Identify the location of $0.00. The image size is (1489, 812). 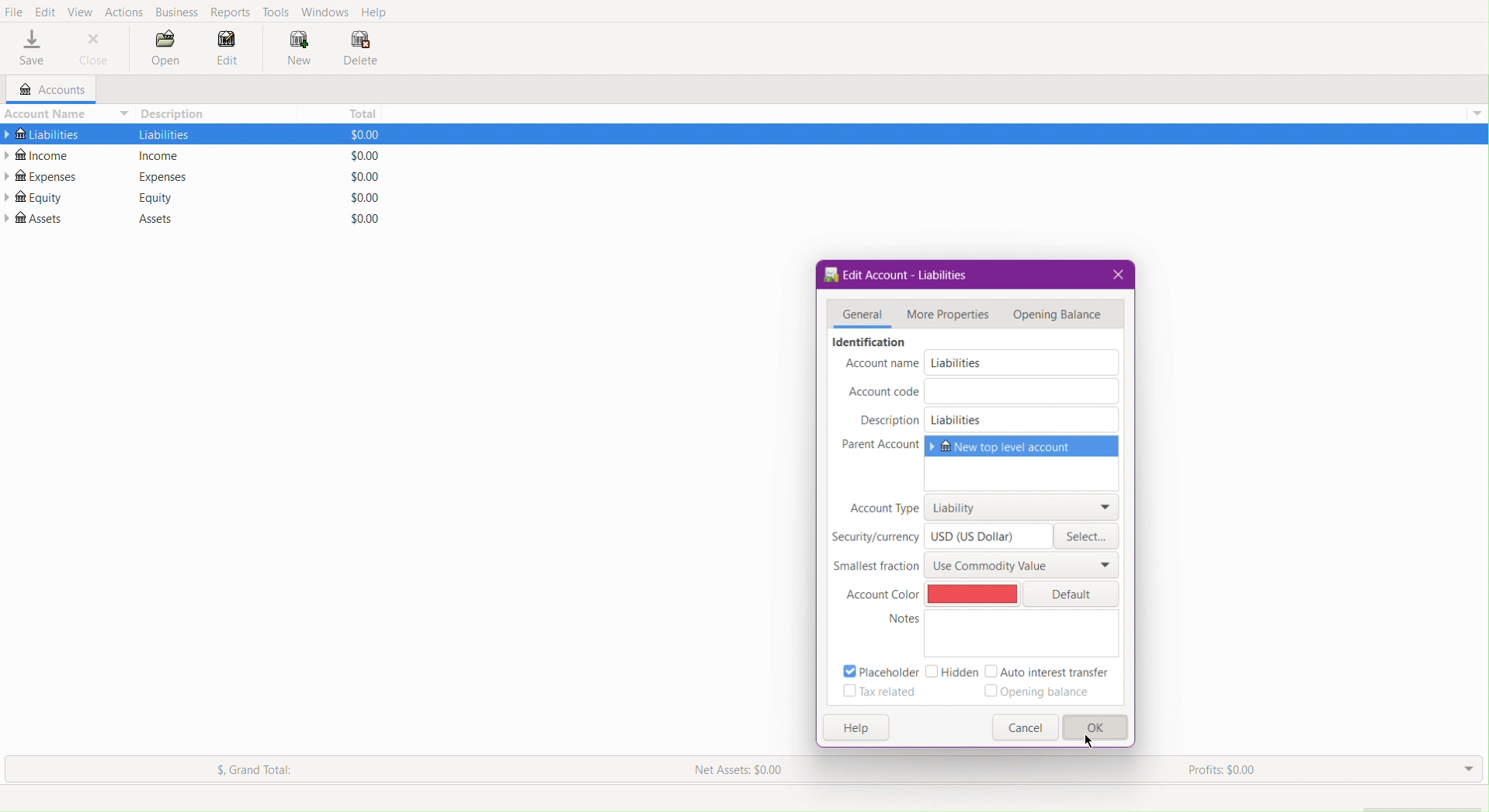
(359, 155).